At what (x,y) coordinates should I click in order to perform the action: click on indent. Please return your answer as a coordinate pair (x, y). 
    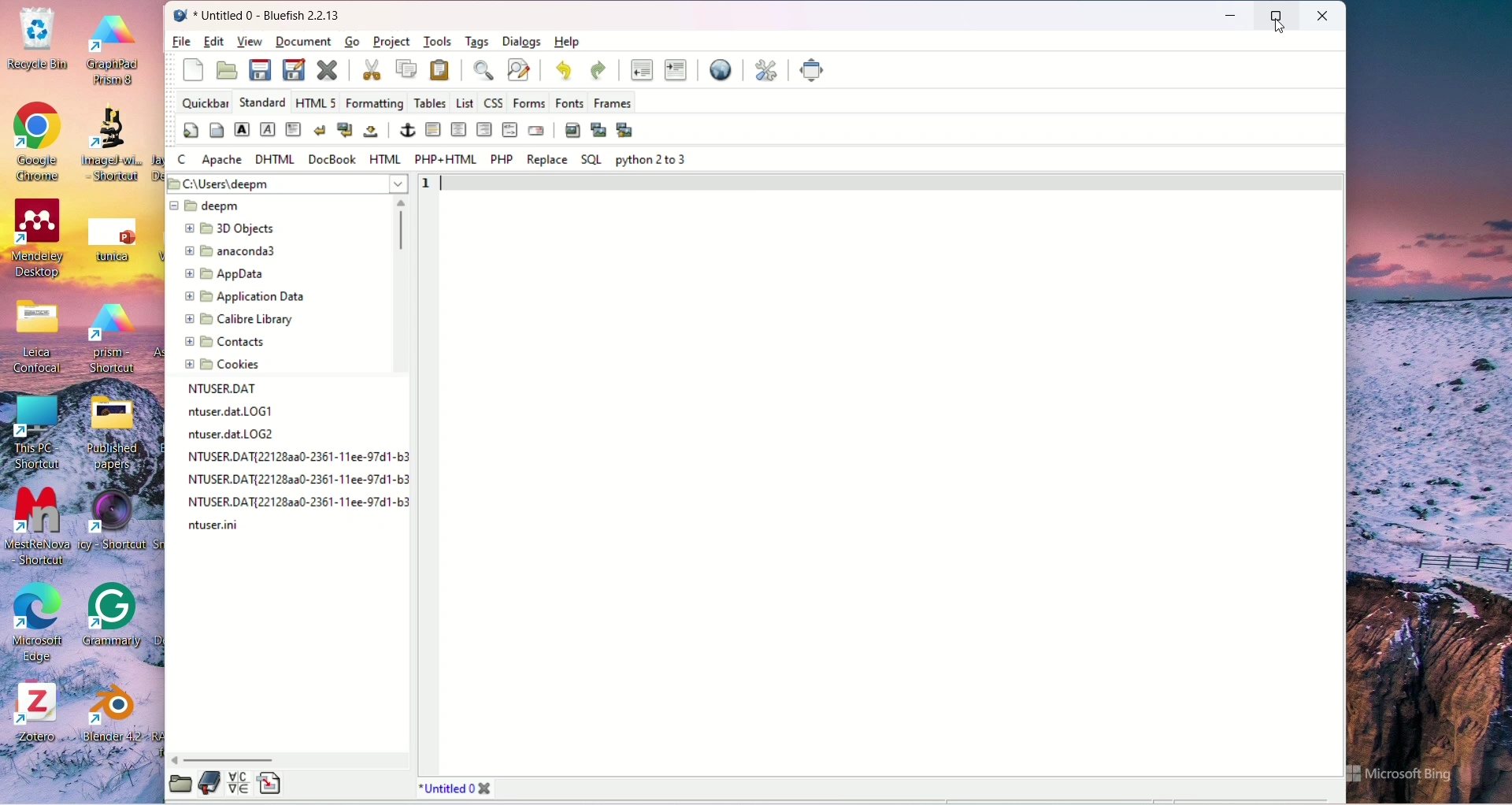
    Looking at the image, I should click on (677, 71).